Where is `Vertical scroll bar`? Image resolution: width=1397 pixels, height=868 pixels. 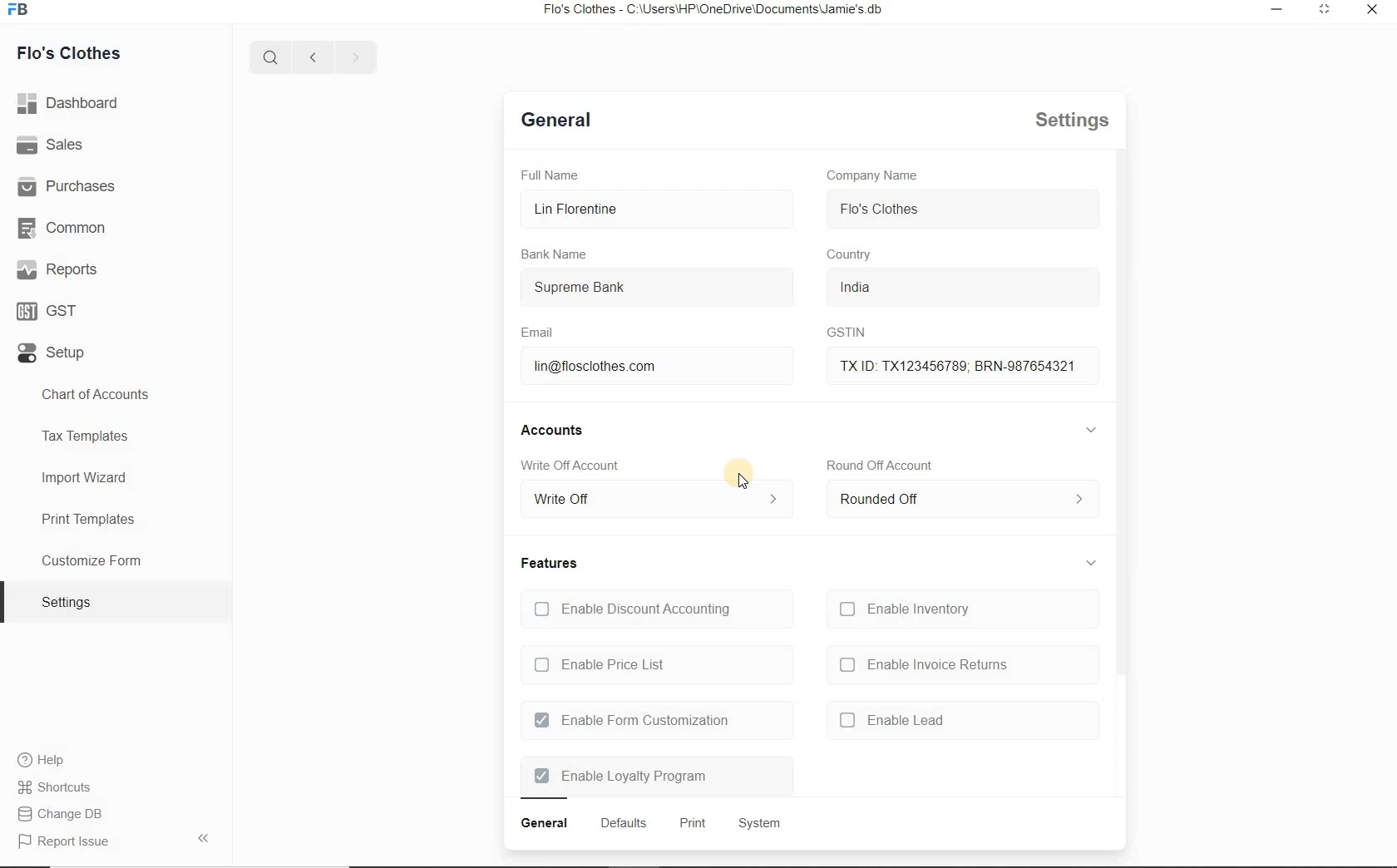 Vertical scroll bar is located at coordinates (1118, 412).